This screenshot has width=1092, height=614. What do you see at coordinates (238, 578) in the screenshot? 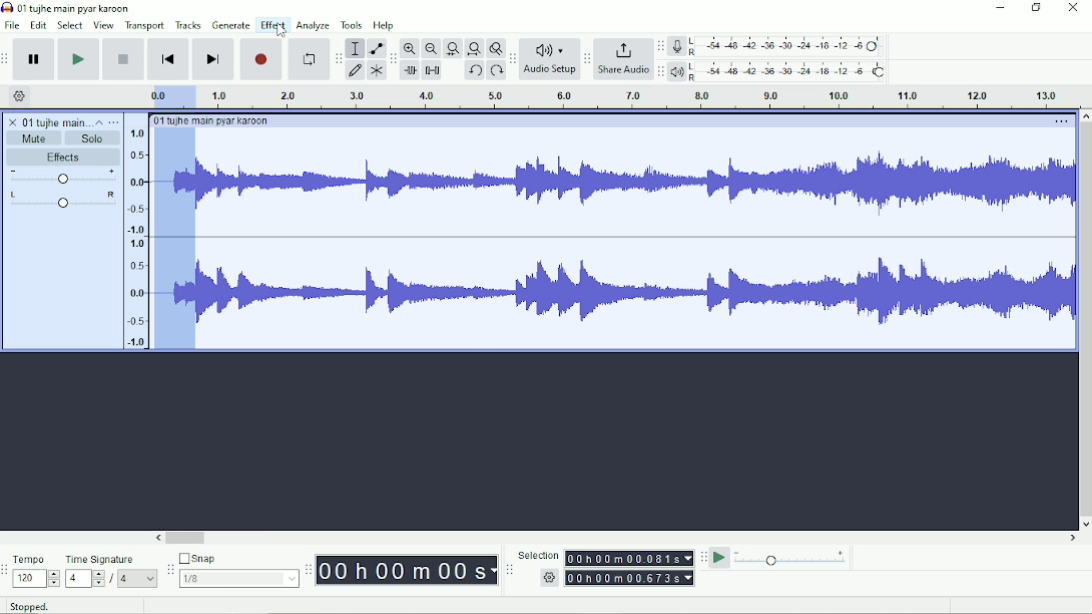
I see `1/8` at bounding box center [238, 578].